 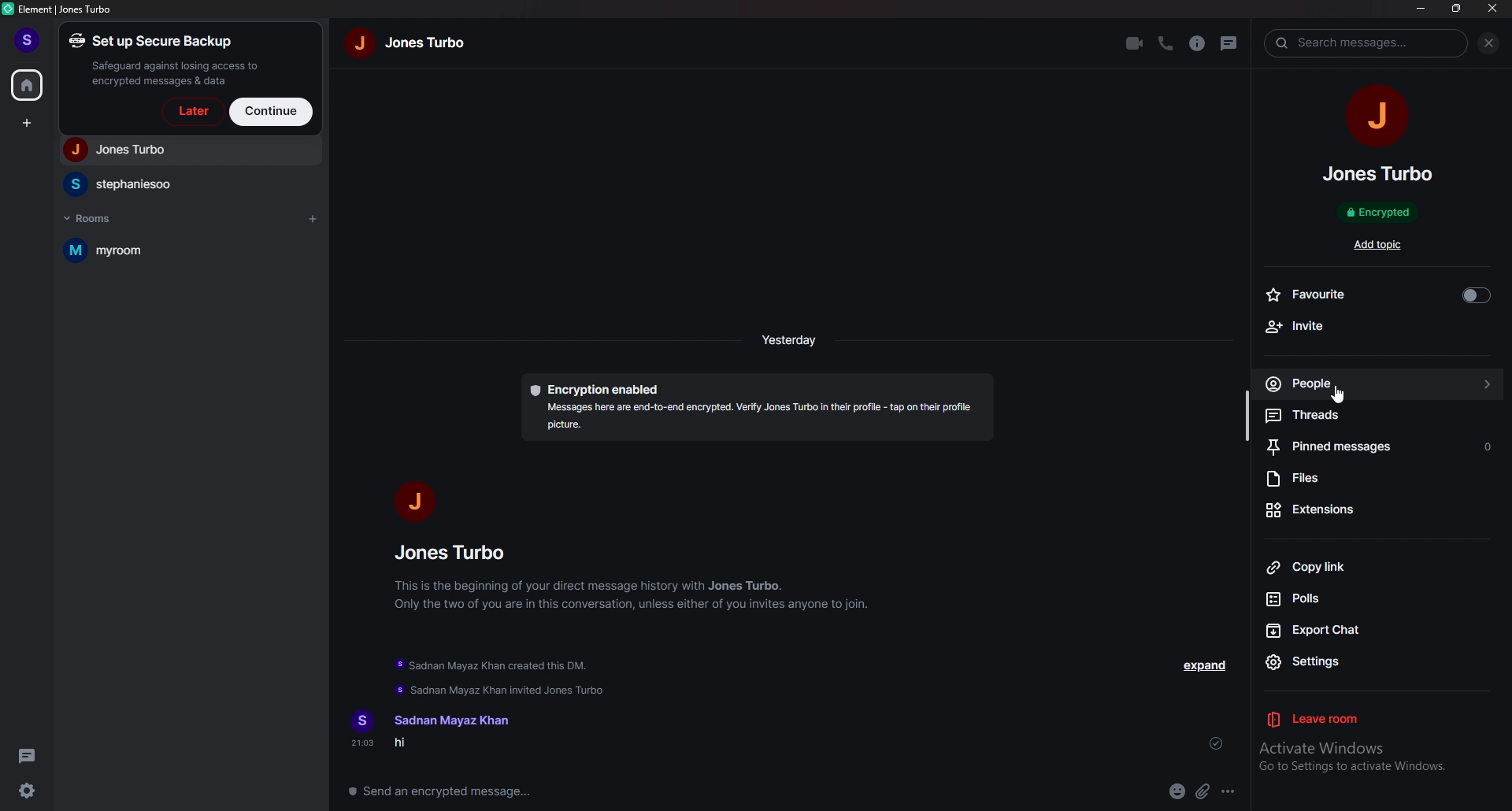 What do you see at coordinates (634, 594) in the screenshot?
I see `info` at bounding box center [634, 594].